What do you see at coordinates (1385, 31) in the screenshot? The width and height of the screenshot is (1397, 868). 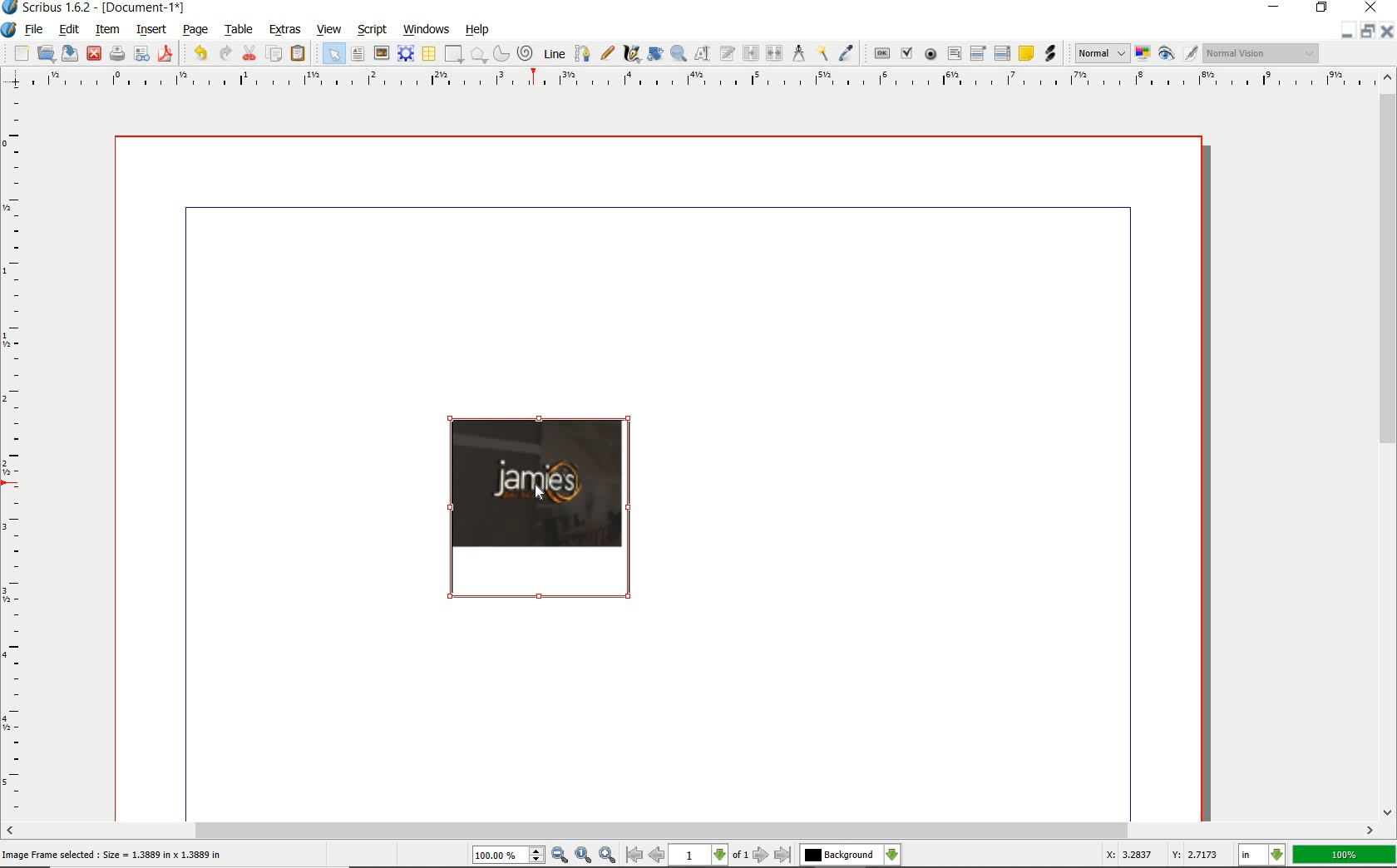 I see `CLOSE` at bounding box center [1385, 31].